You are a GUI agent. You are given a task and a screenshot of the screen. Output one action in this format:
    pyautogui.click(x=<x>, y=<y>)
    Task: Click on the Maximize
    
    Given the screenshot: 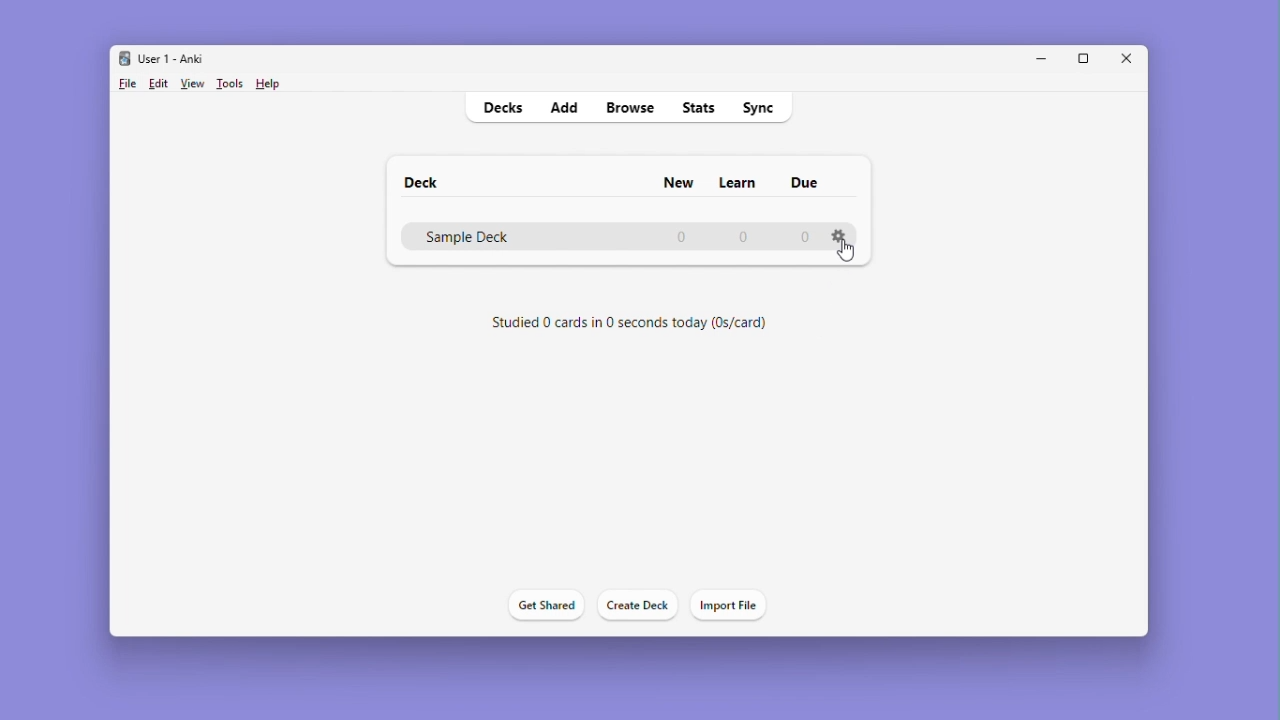 What is the action you would take?
    pyautogui.click(x=1090, y=59)
    